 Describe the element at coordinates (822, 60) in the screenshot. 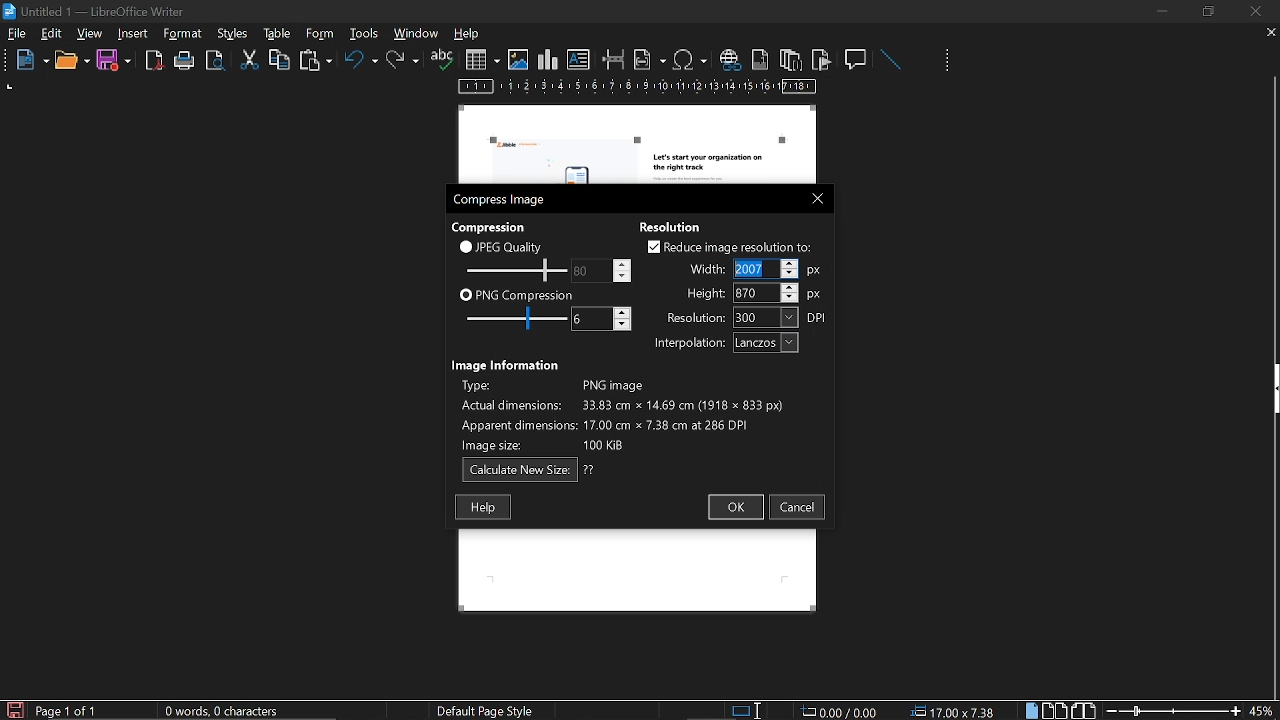

I see `insert bookmark` at that location.